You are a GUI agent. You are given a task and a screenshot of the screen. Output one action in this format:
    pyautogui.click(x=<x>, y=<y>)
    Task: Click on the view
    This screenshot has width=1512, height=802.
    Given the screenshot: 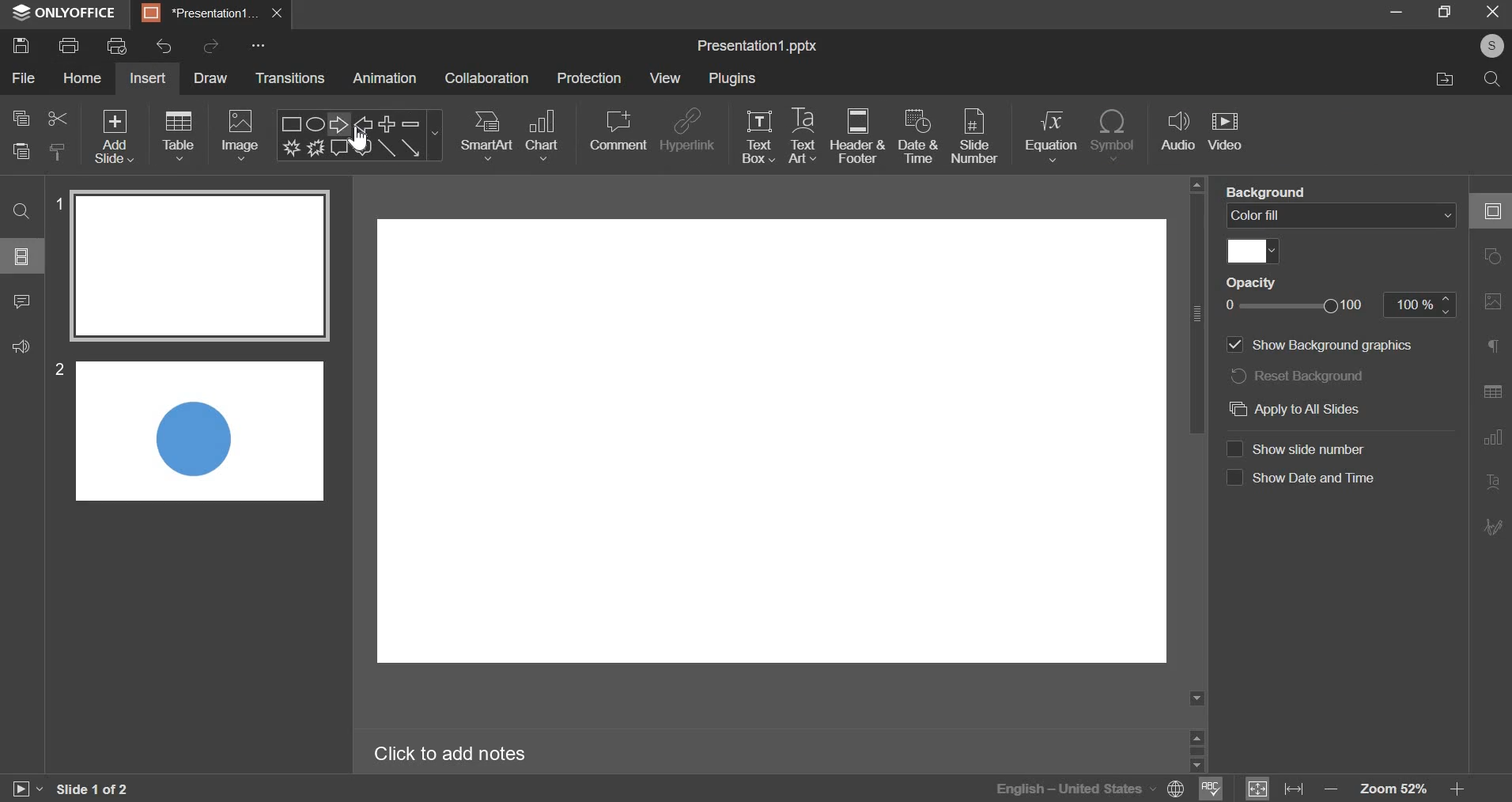 What is the action you would take?
    pyautogui.click(x=665, y=79)
    